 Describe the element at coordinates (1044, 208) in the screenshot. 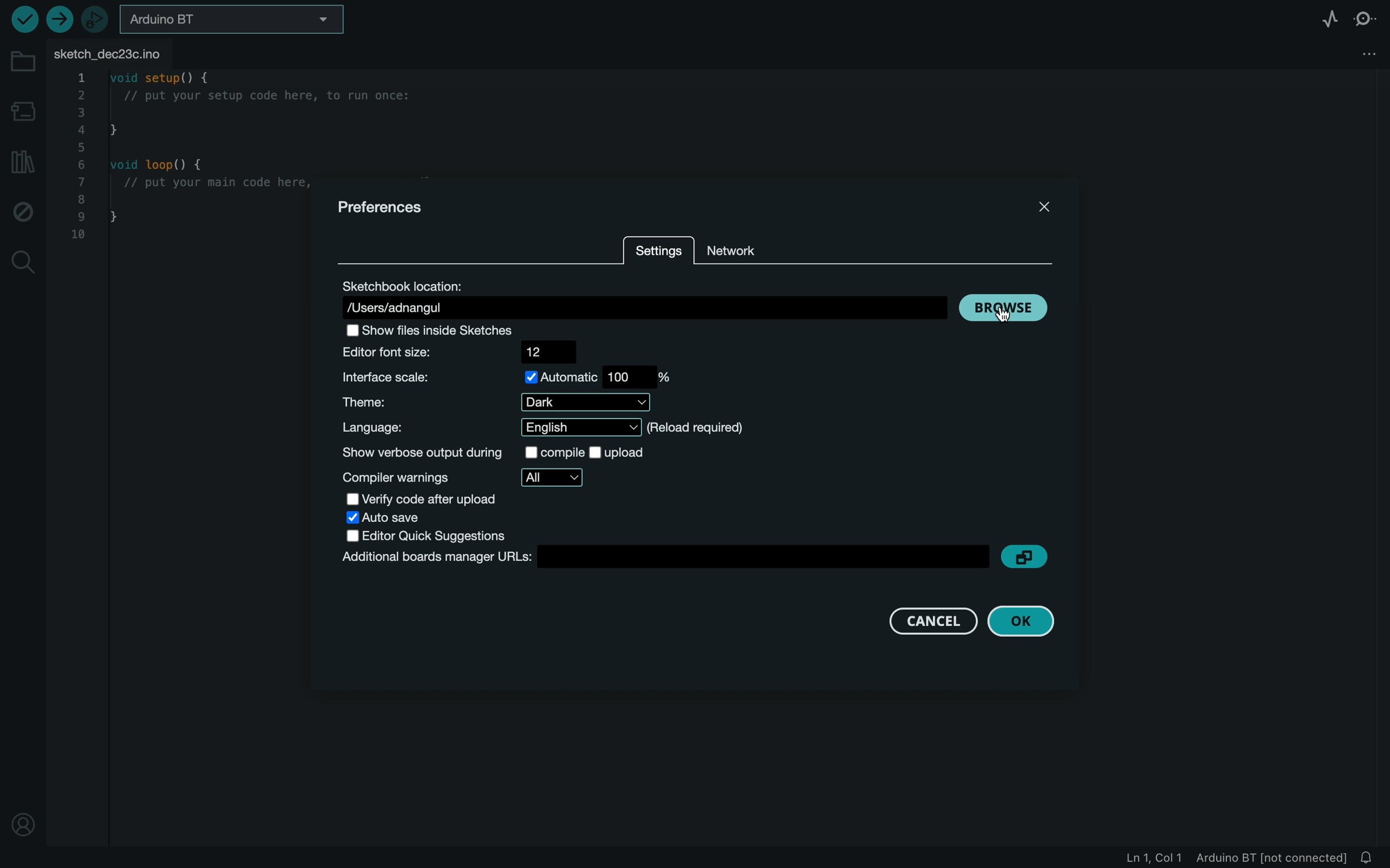

I see `close` at that location.